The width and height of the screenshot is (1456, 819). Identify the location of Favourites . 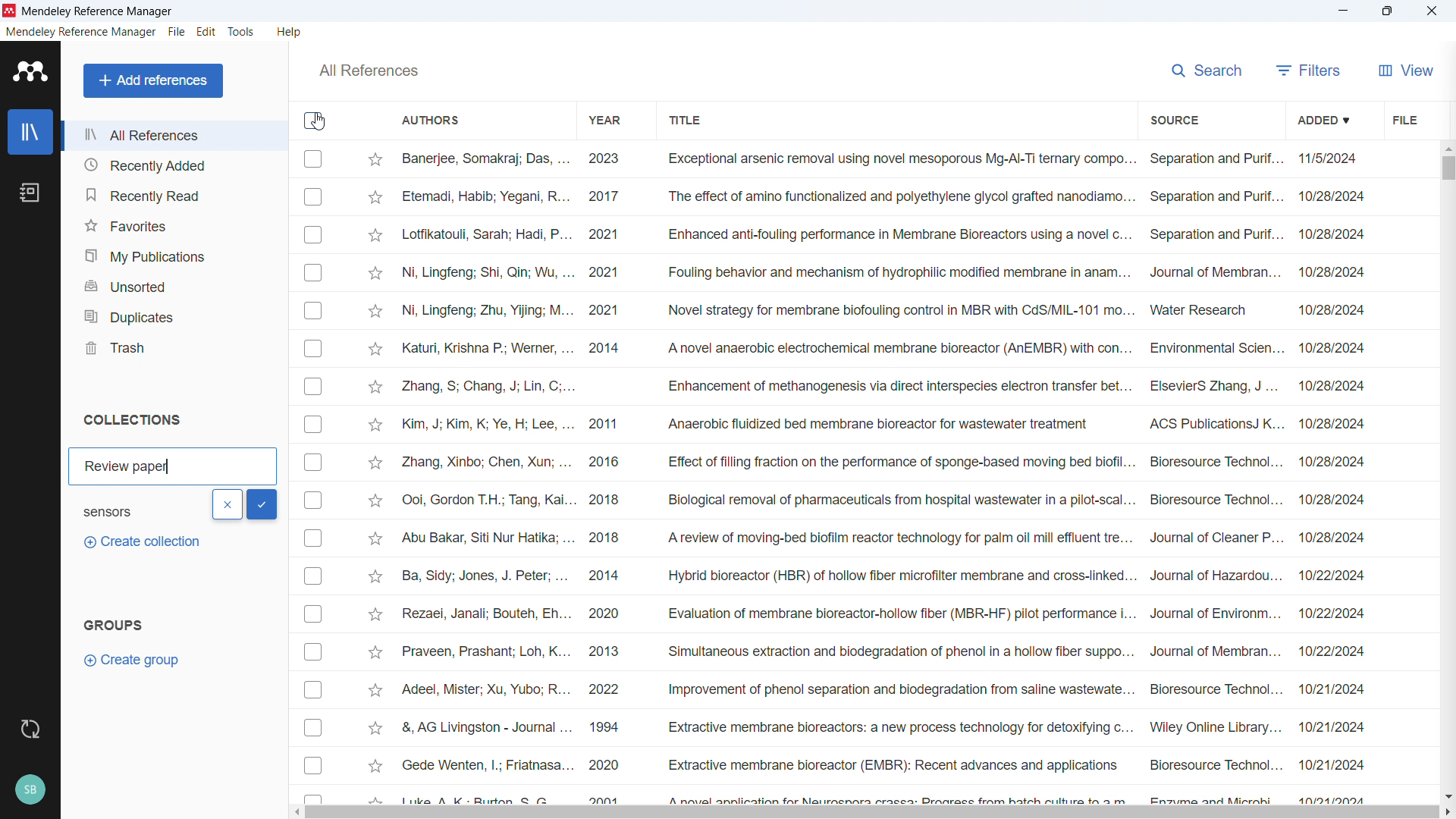
(174, 224).